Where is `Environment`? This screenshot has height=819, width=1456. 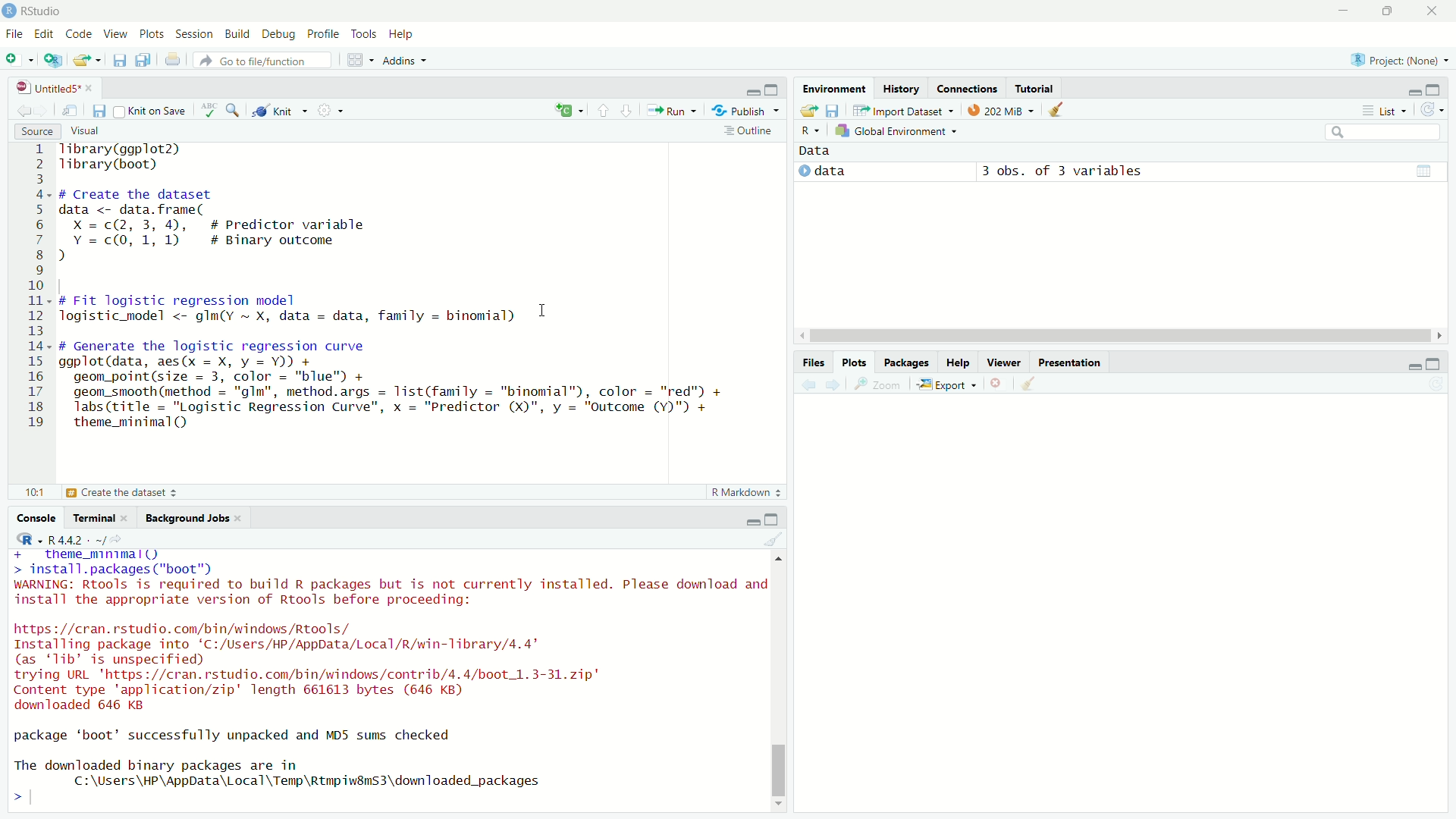 Environment is located at coordinates (834, 87).